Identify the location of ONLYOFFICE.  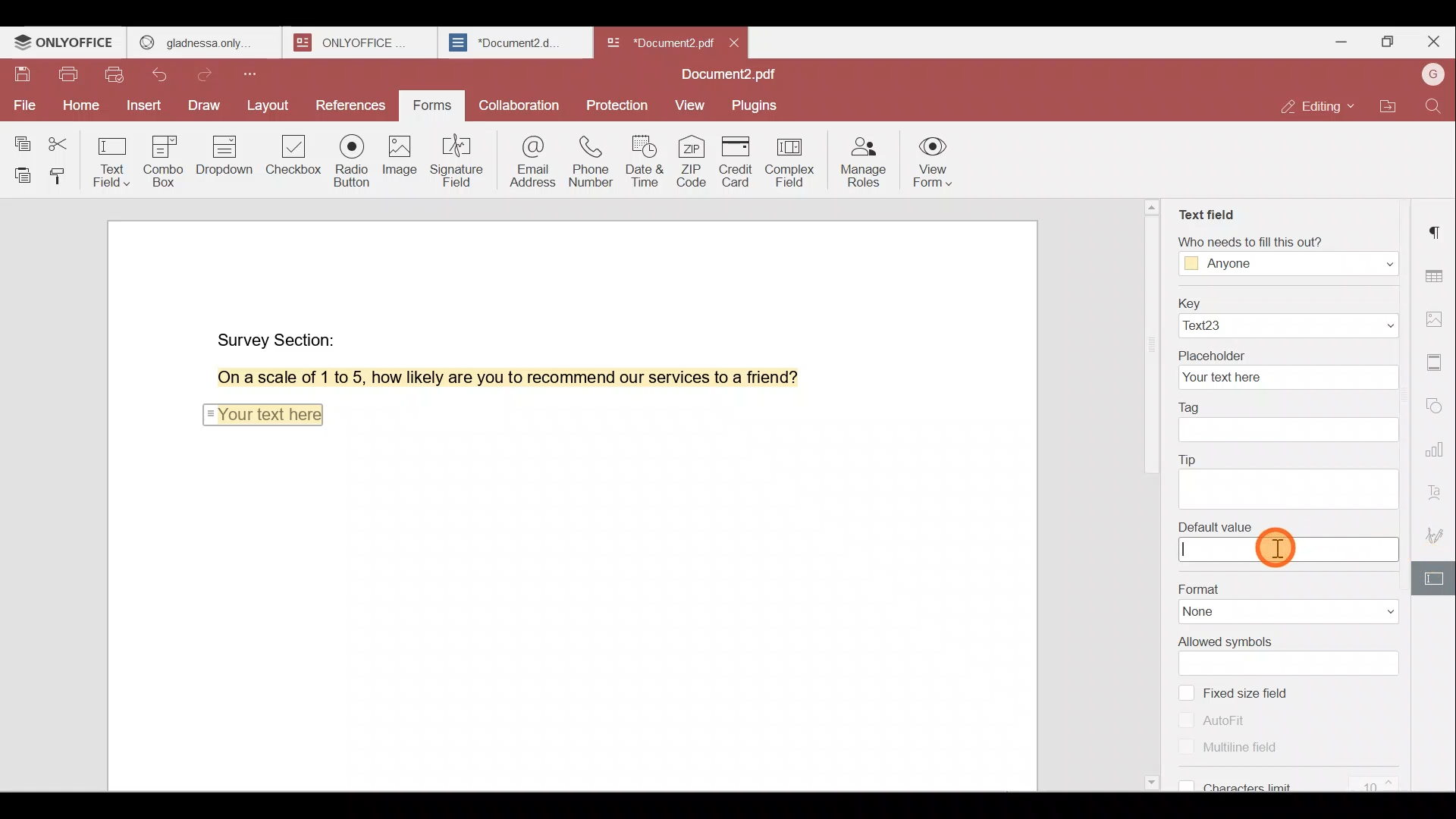
(65, 42).